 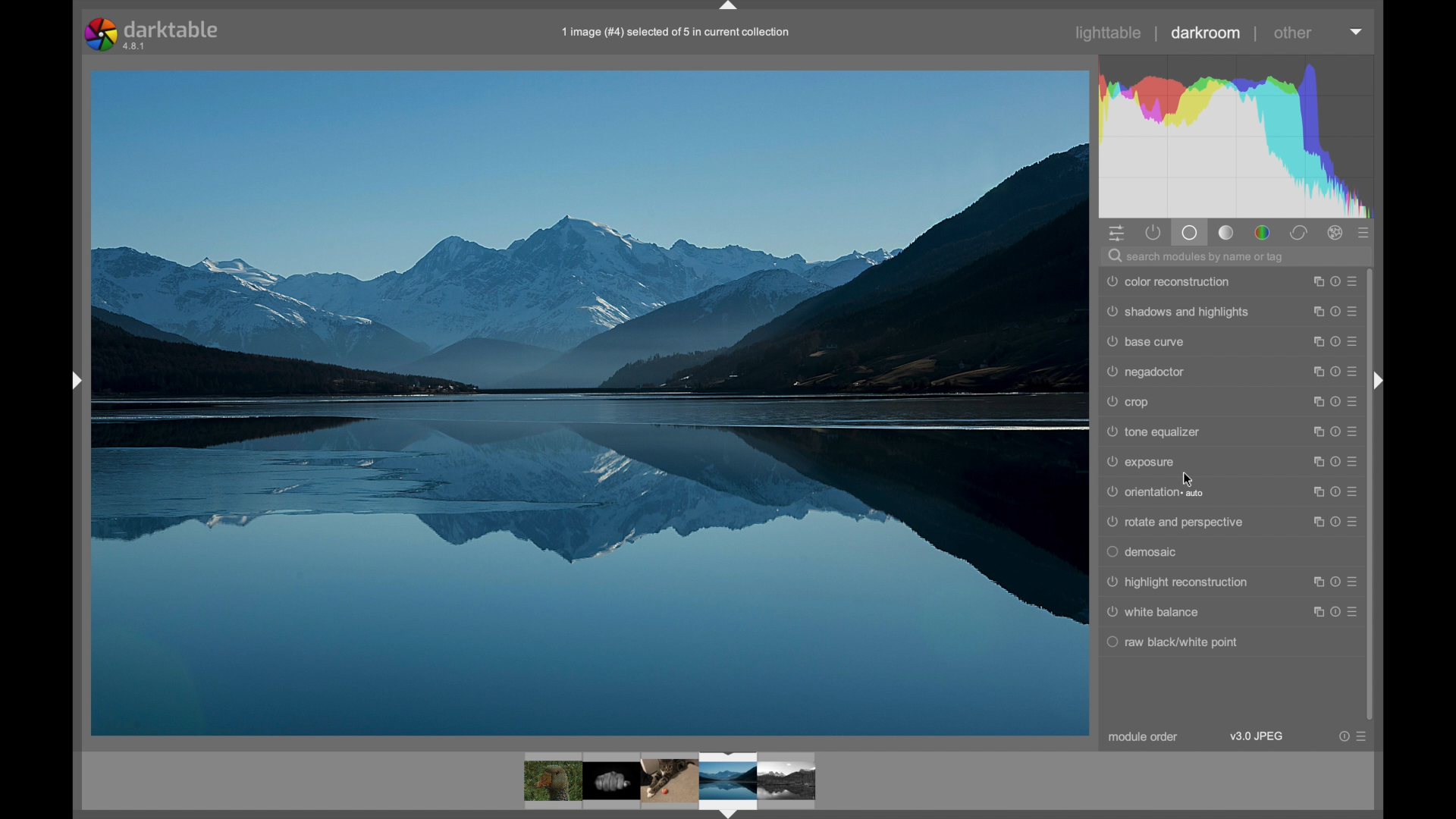 I want to click on correct, so click(x=1299, y=233).